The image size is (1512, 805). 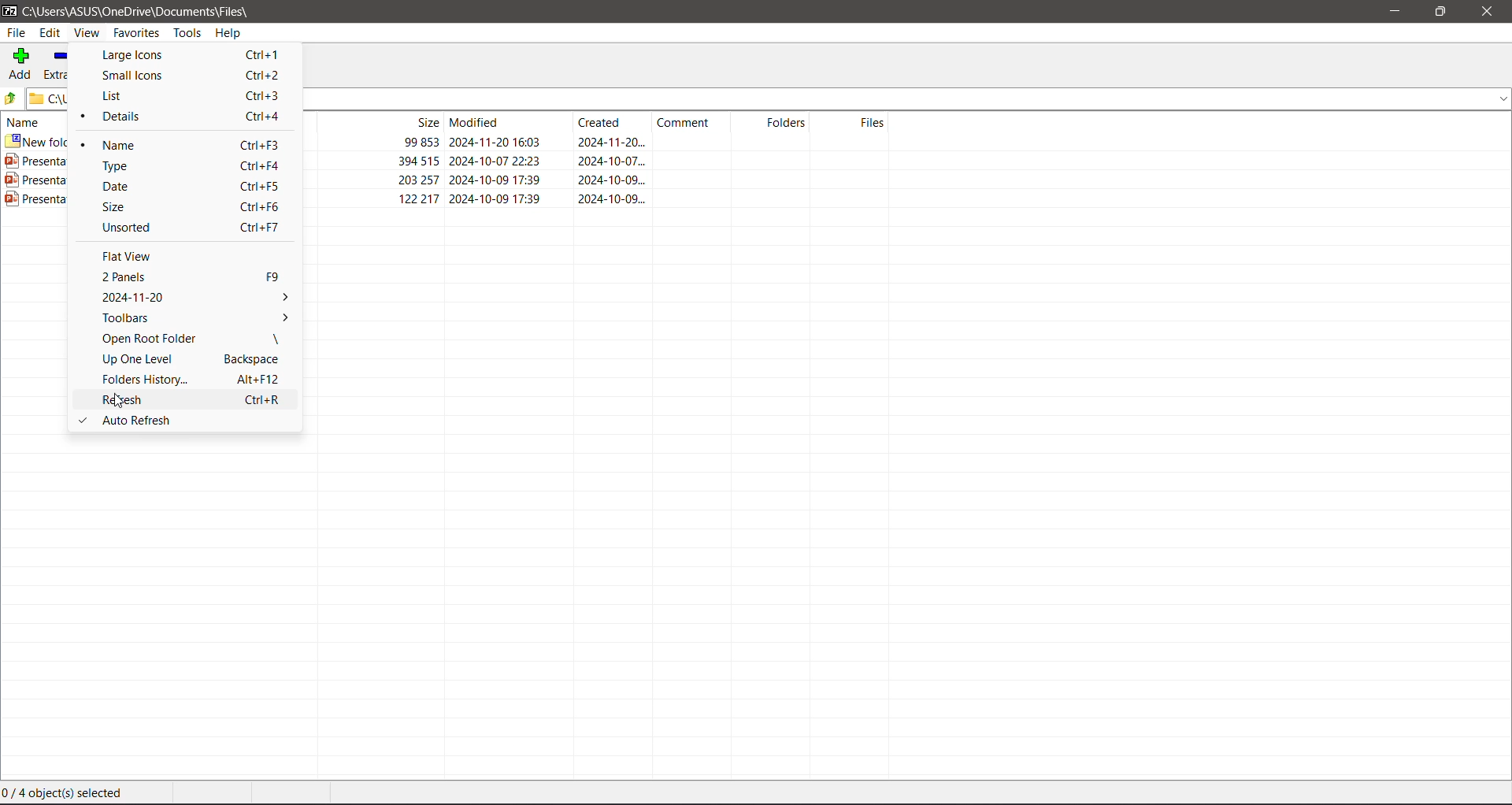 What do you see at coordinates (117, 401) in the screenshot?
I see `cursor` at bounding box center [117, 401].